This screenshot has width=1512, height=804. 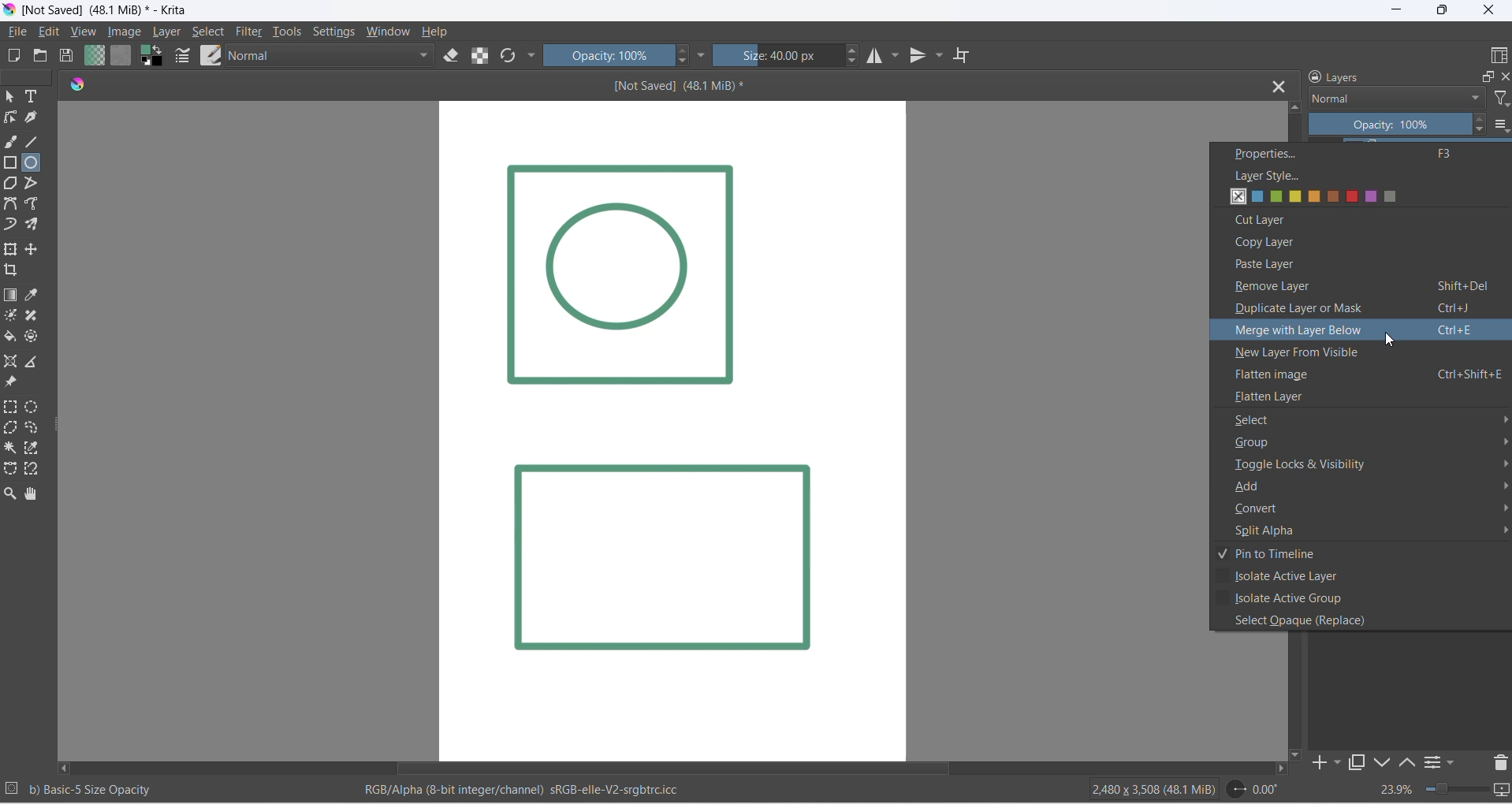 What do you see at coordinates (11, 429) in the screenshot?
I see `polygon selection toll` at bounding box center [11, 429].